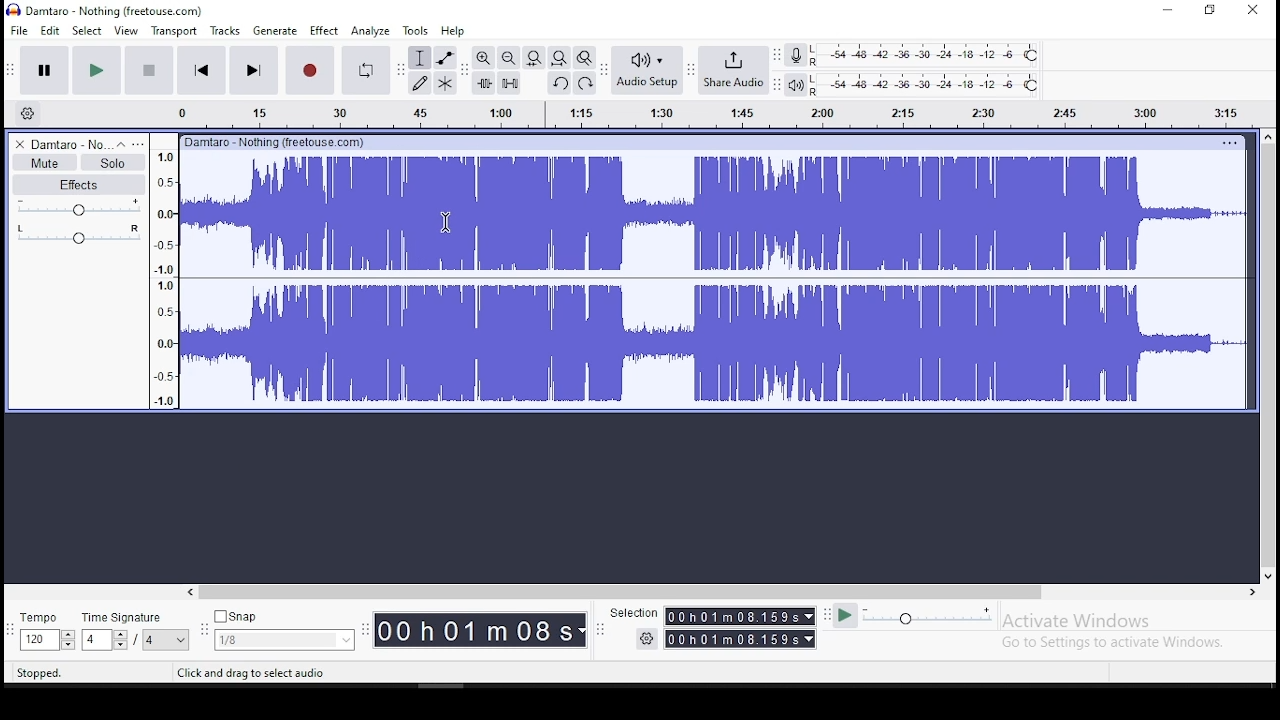  What do you see at coordinates (113, 163) in the screenshot?
I see `solo` at bounding box center [113, 163].